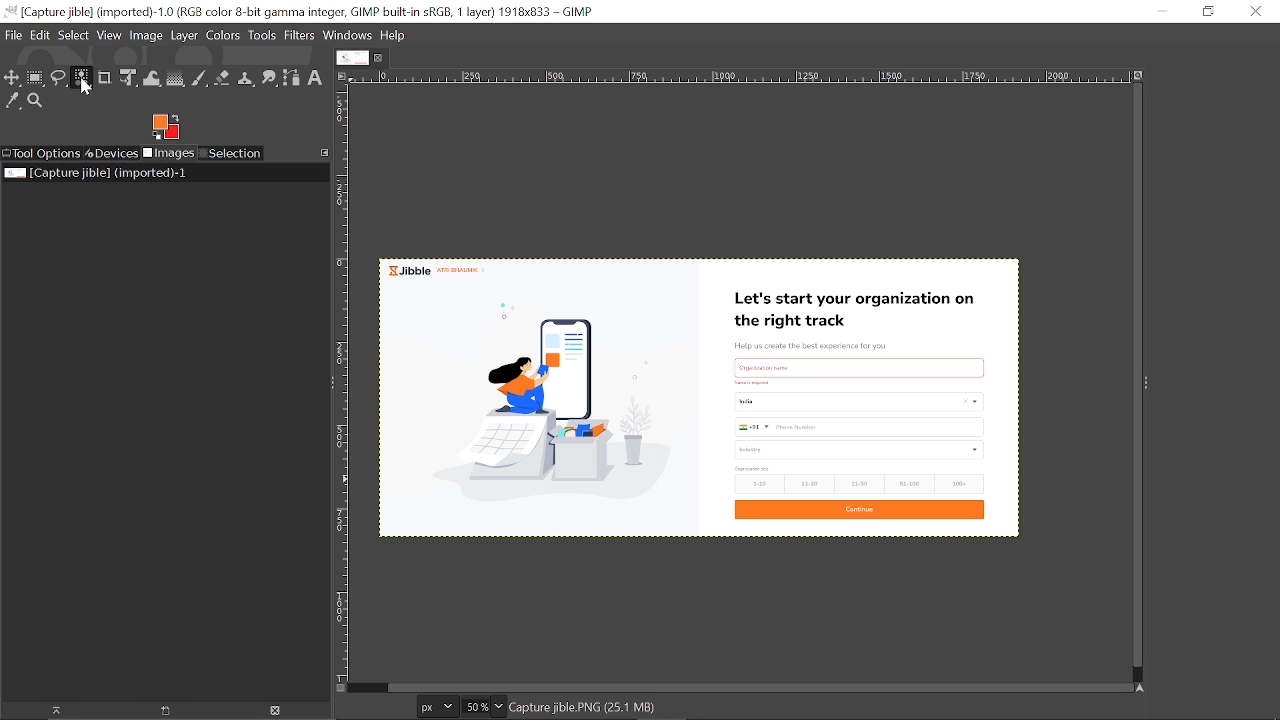 The height and width of the screenshot is (720, 1280). I want to click on File, so click(13, 34).